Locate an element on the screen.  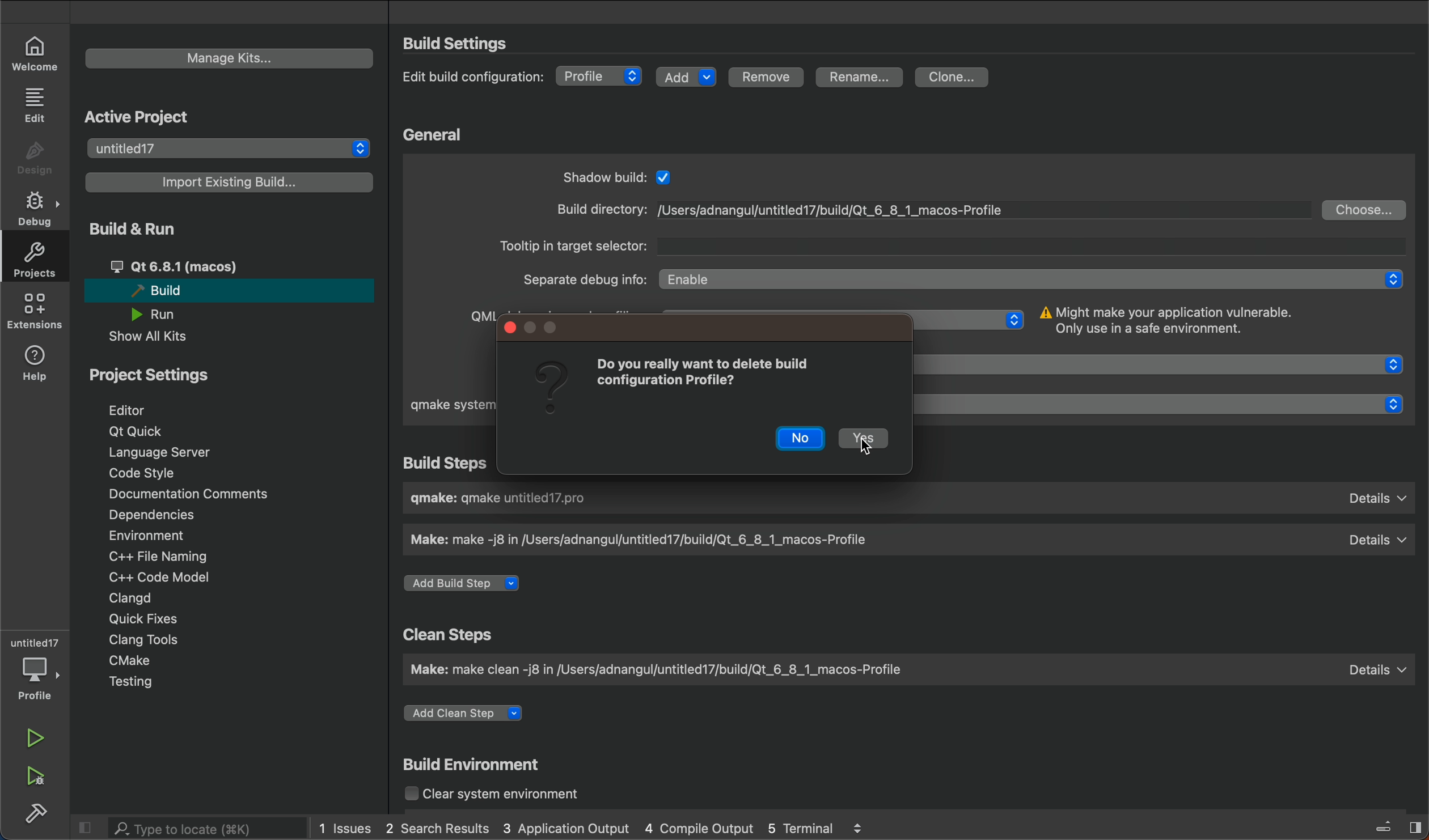
add is located at coordinates (686, 79).